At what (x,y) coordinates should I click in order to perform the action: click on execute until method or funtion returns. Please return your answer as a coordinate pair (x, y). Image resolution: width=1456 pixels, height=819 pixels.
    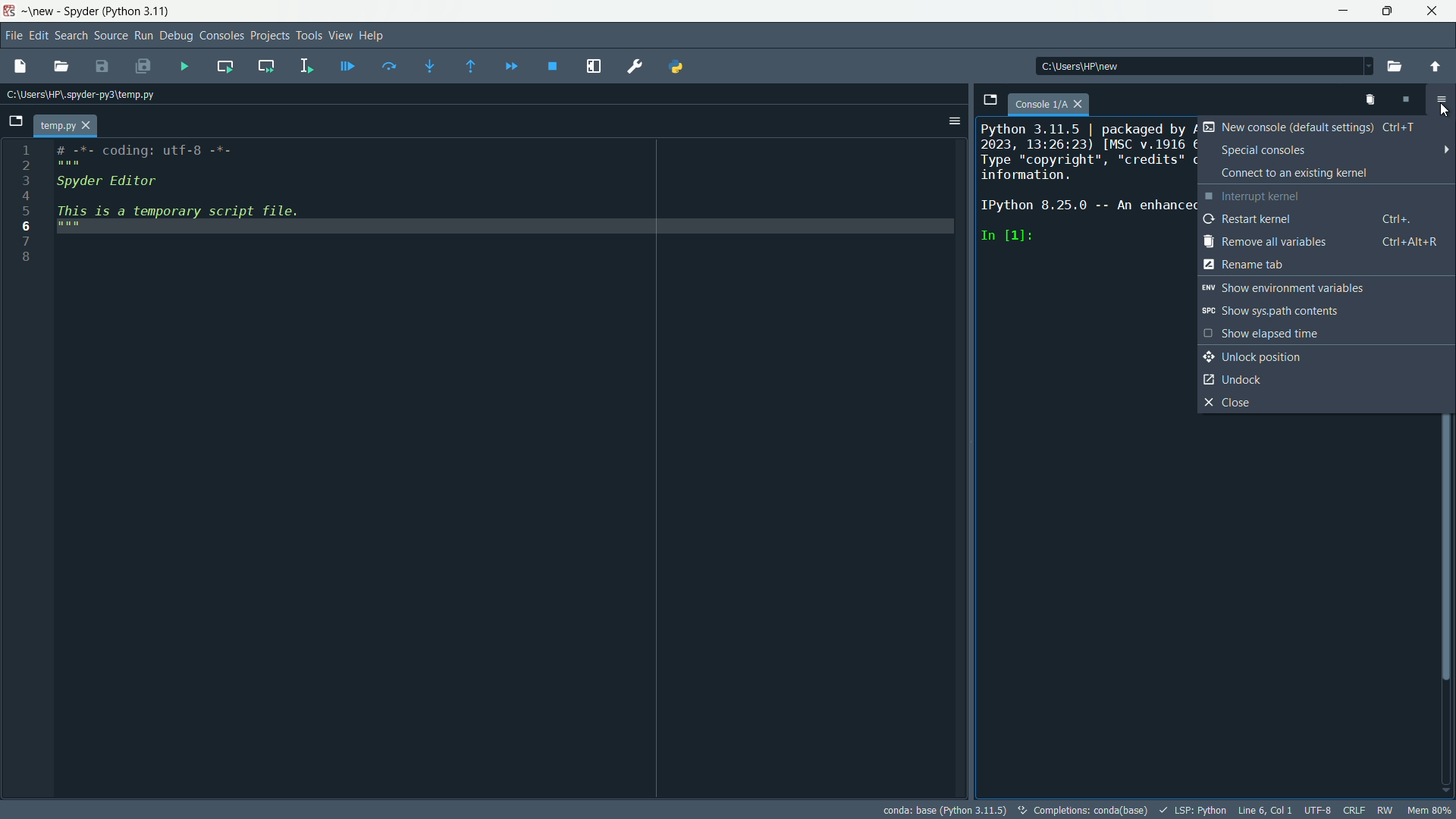
    Looking at the image, I should click on (473, 68).